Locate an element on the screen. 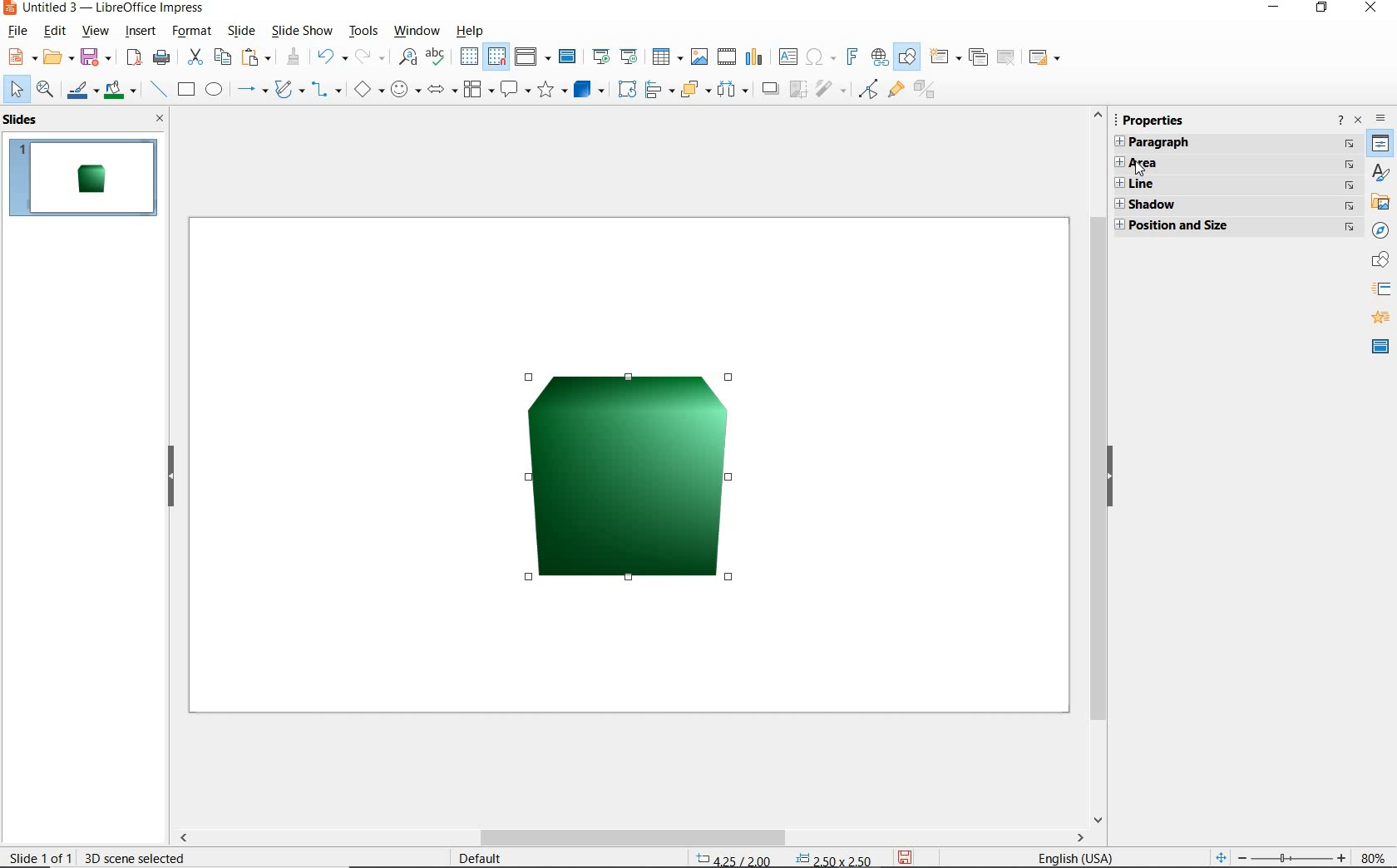  TOGGLE POINT EDIT MODE is located at coordinates (867, 89).